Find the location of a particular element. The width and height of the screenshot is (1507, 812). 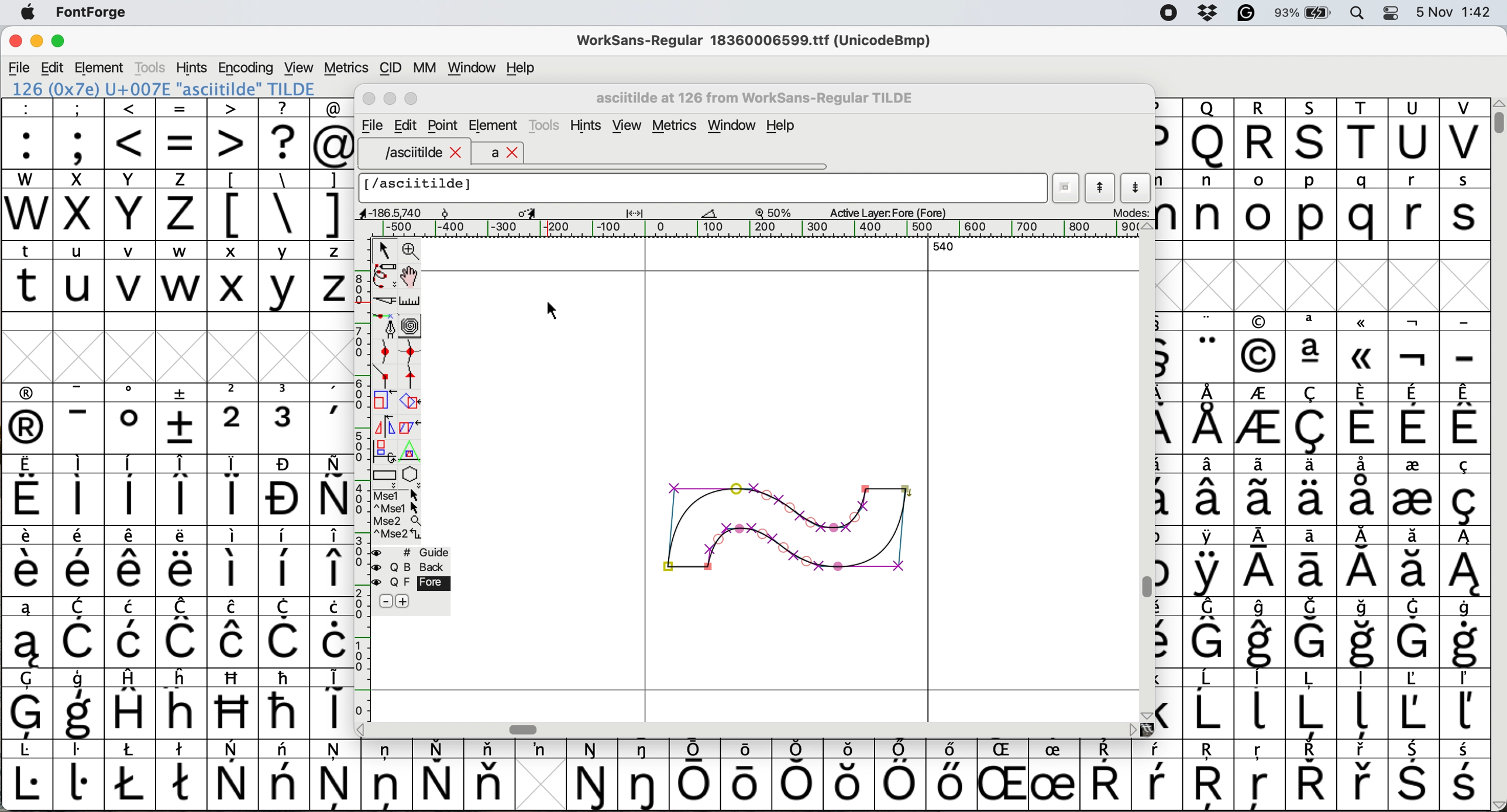

add a  point then drag out its control points is located at coordinates (386, 325).